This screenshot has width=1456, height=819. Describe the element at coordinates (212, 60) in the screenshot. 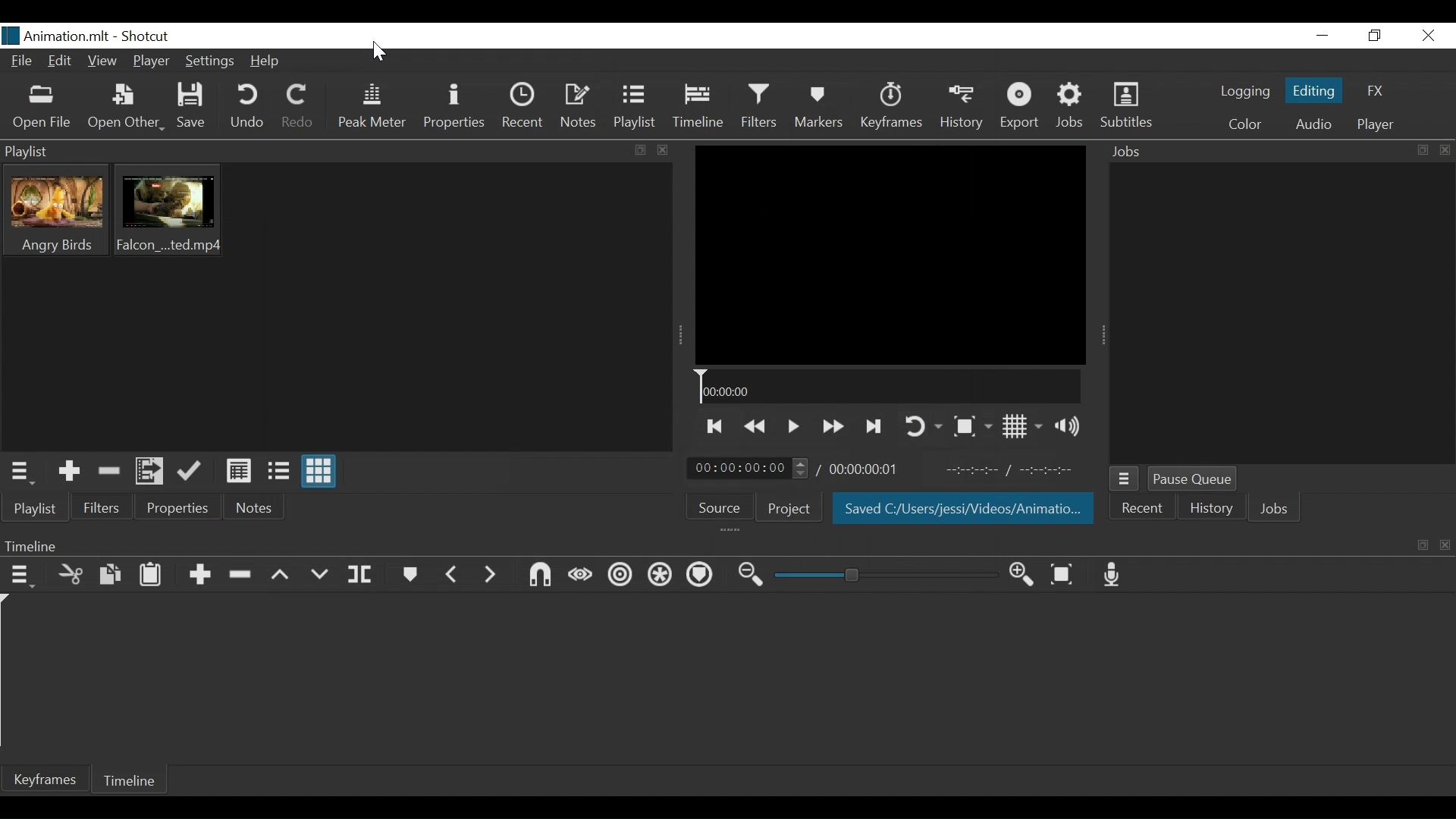

I see `Settings` at that location.